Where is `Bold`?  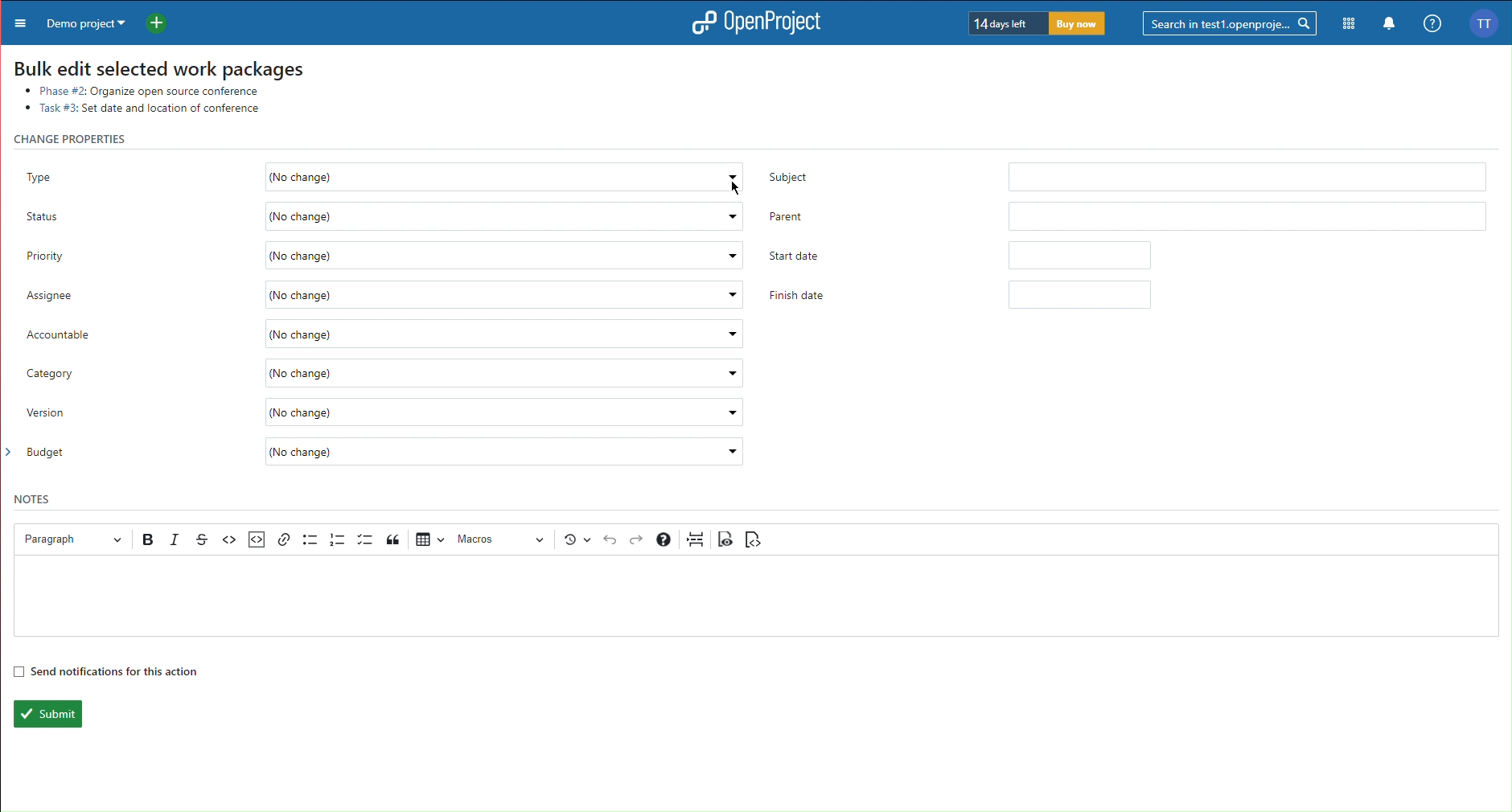
Bold is located at coordinates (150, 539).